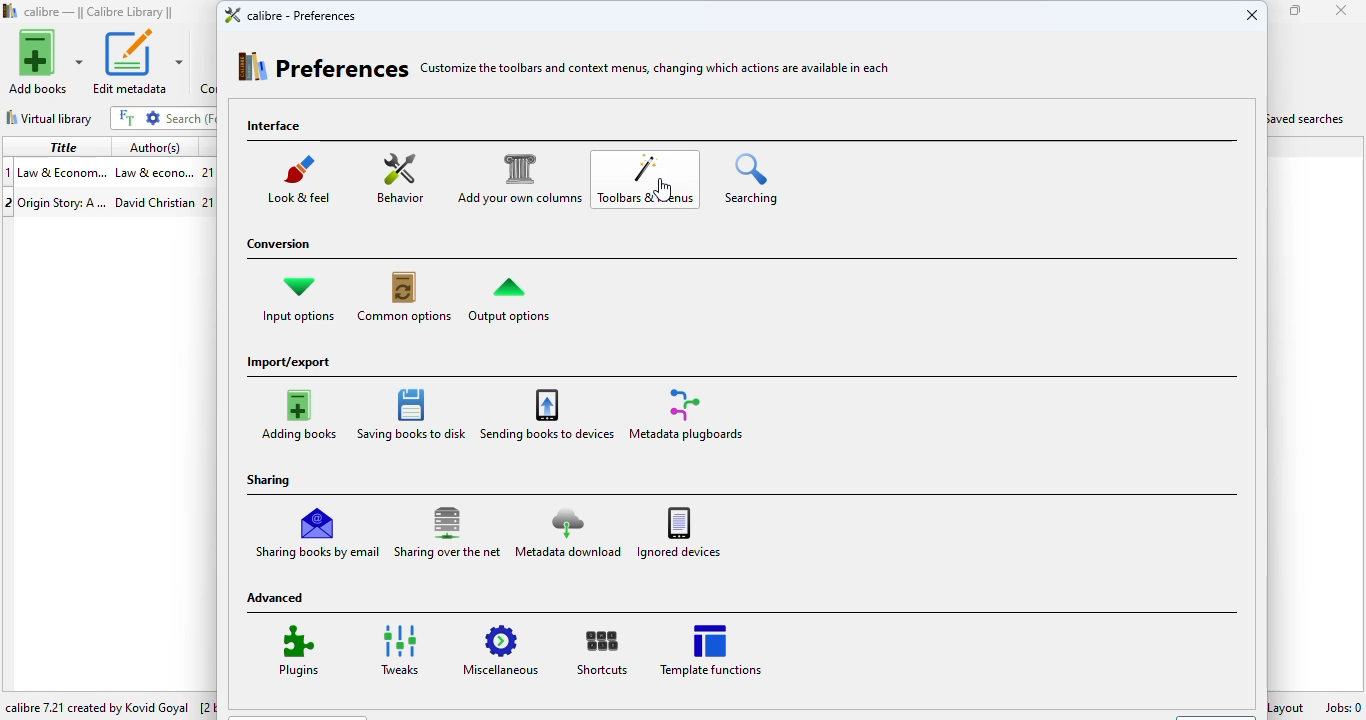 Image resolution: width=1366 pixels, height=720 pixels. Describe the element at coordinates (448, 531) in the screenshot. I see `sharing over the net` at that location.